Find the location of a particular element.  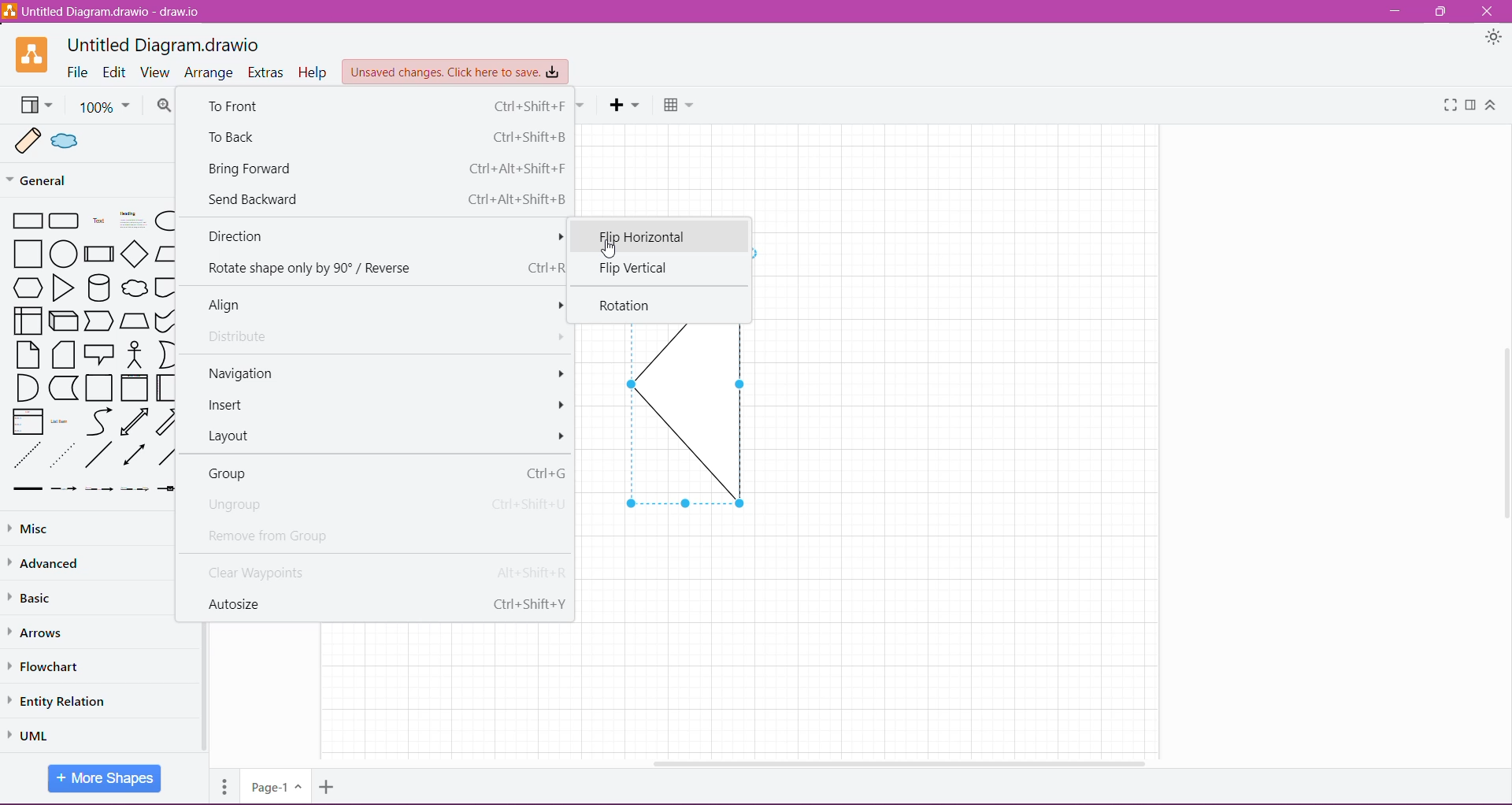

Rotation is located at coordinates (627, 303).